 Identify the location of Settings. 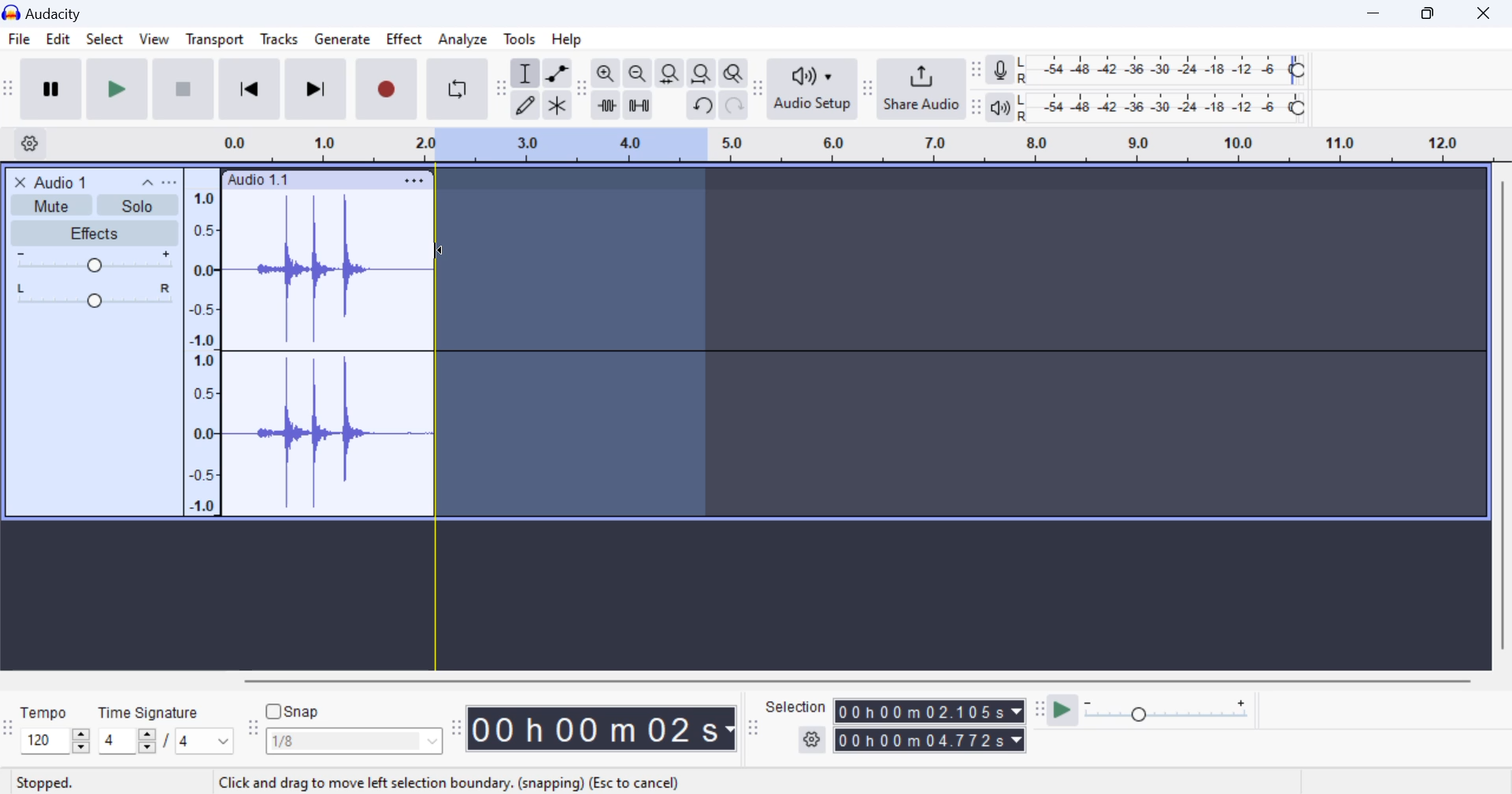
(32, 143).